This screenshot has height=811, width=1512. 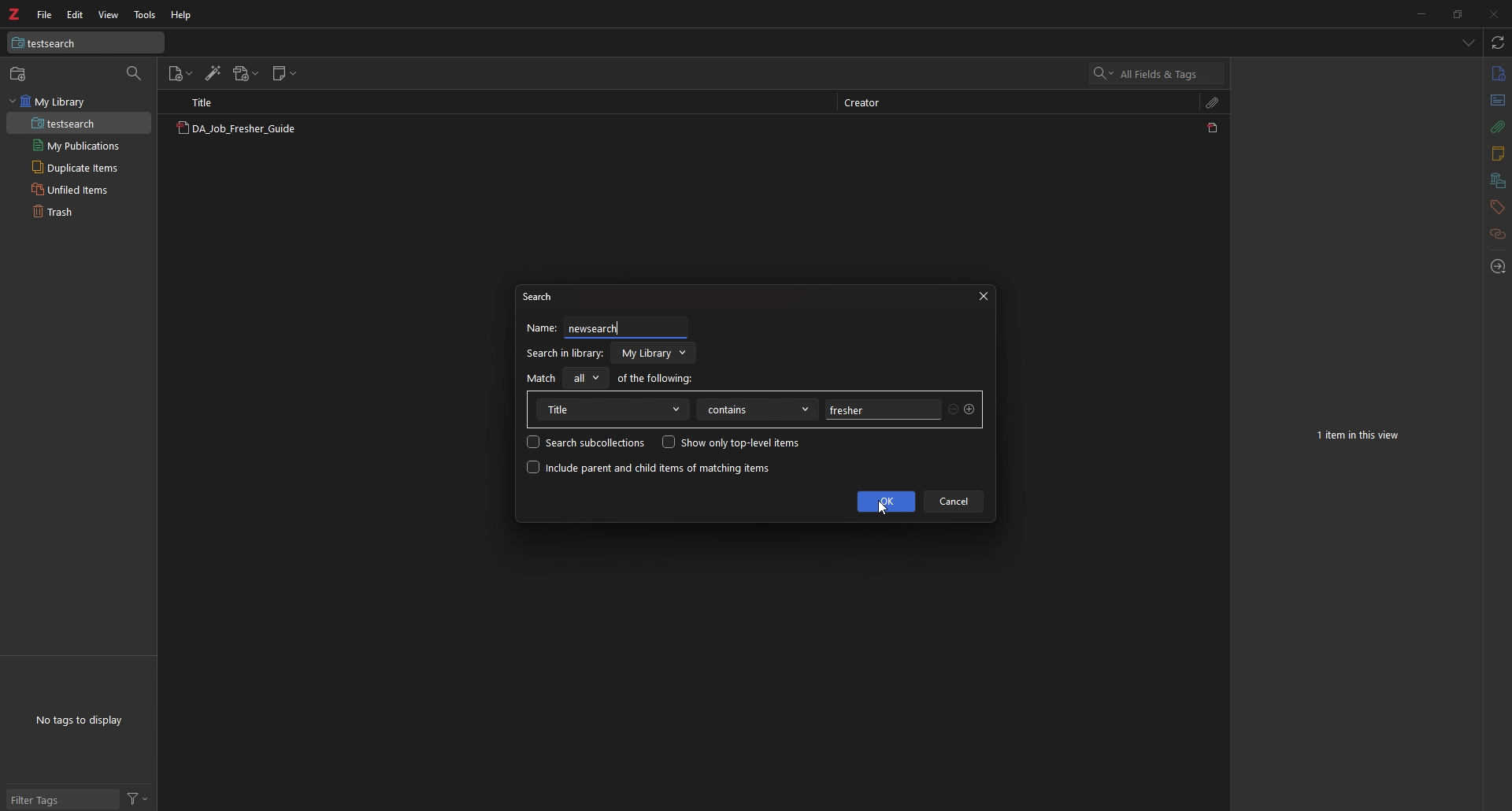 What do you see at coordinates (1421, 13) in the screenshot?
I see `minimize` at bounding box center [1421, 13].